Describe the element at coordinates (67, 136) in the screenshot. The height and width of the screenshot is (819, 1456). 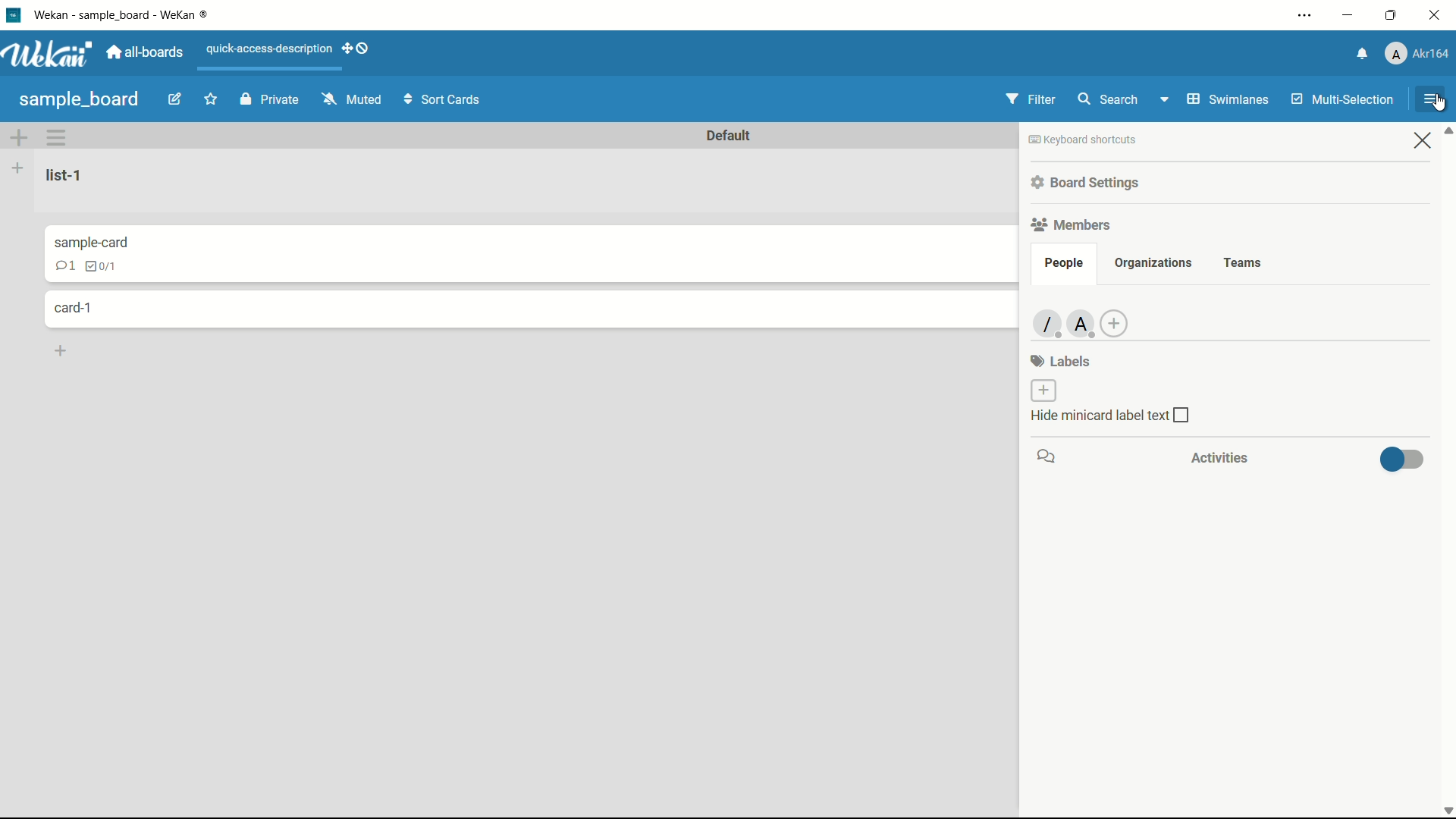
I see `sidebar` at that location.